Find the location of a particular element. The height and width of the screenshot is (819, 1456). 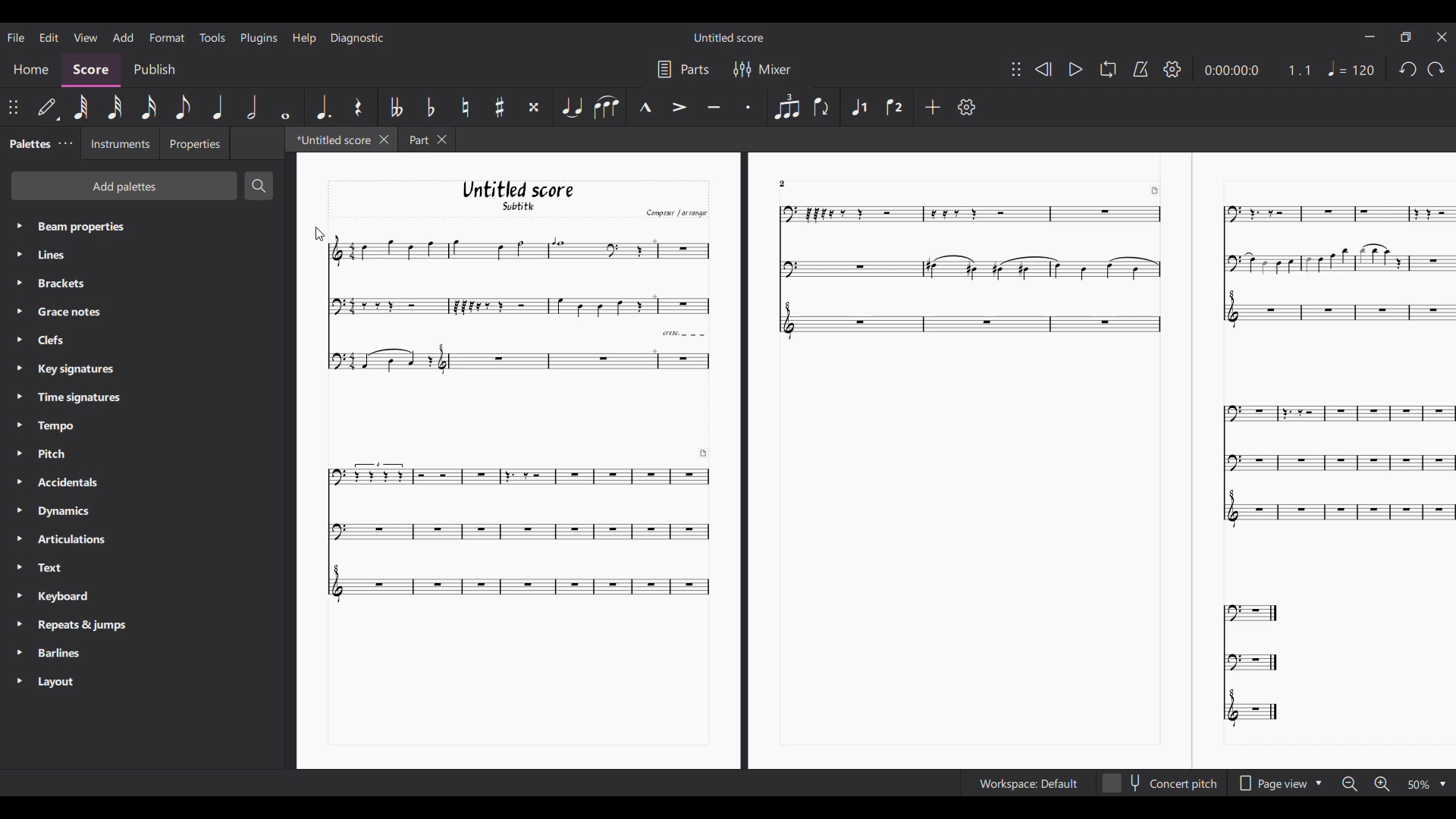

Rest is located at coordinates (358, 106).